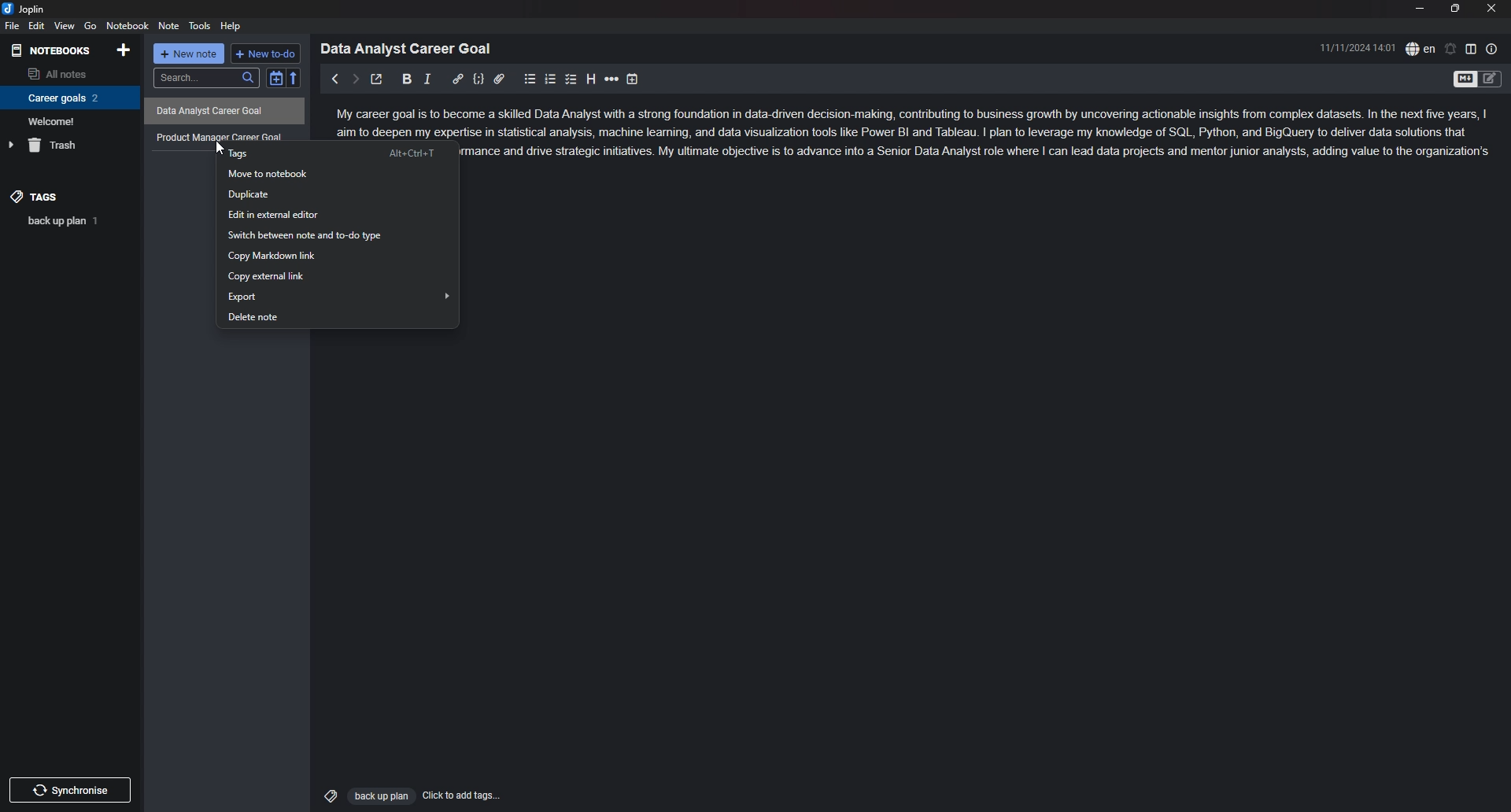  I want to click on duplicate, so click(336, 194).